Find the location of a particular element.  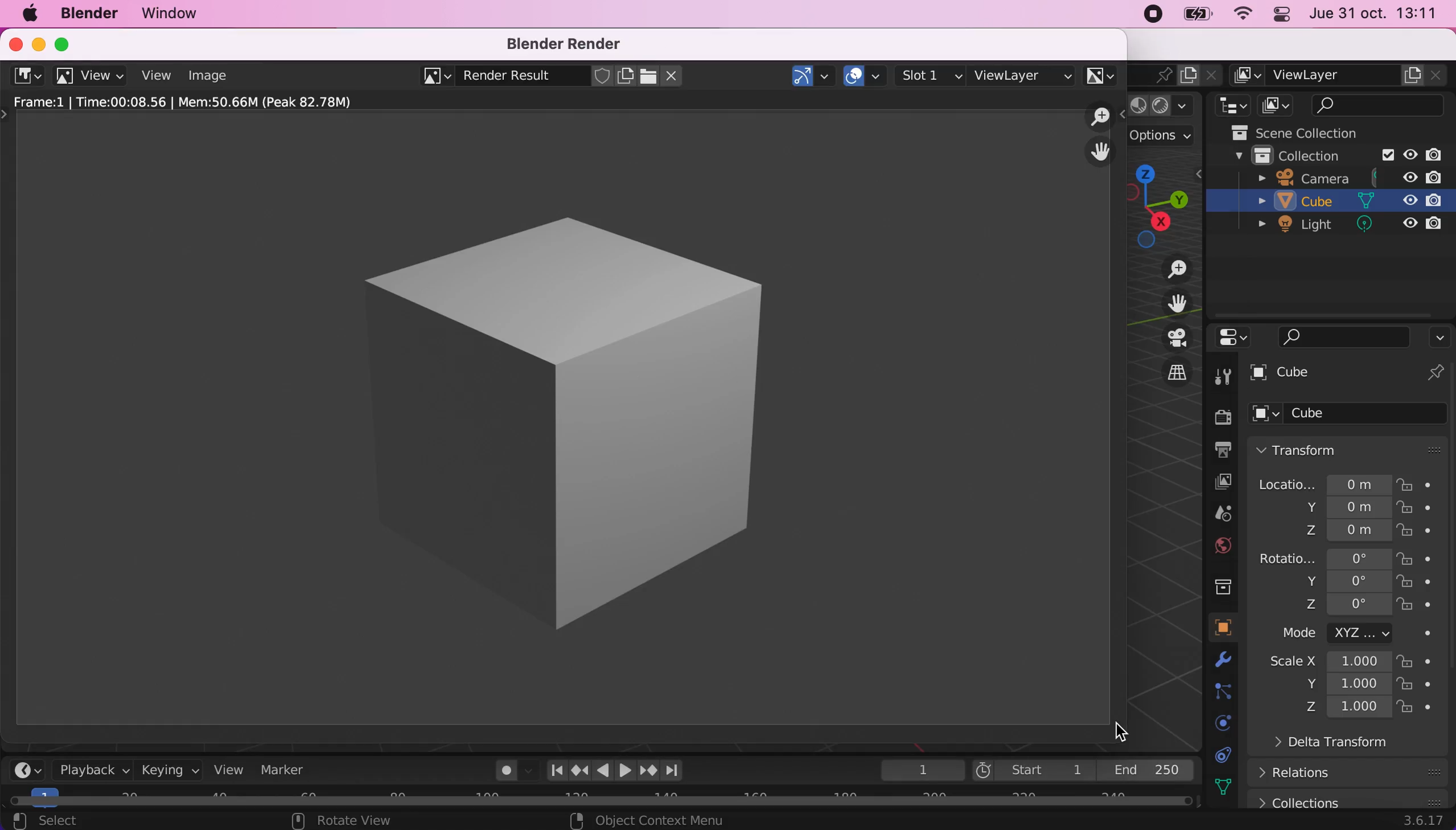

show overlays is located at coordinates (866, 74).